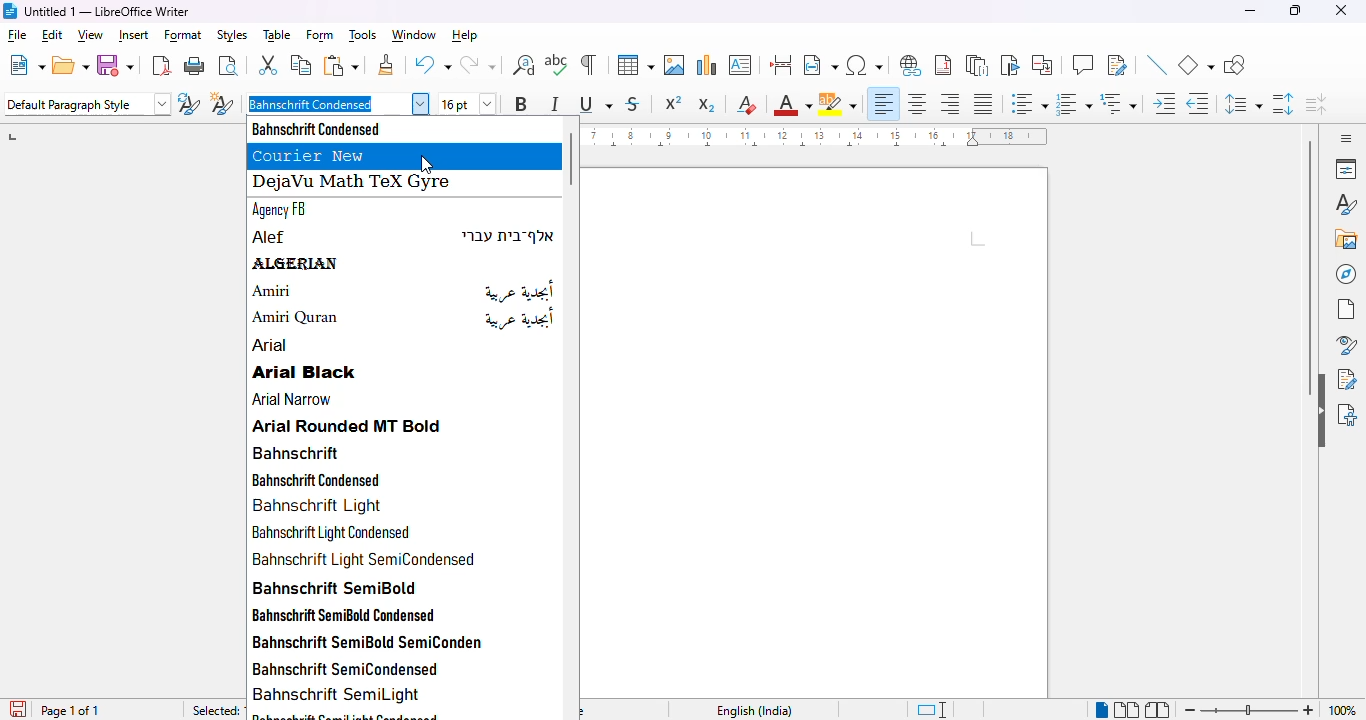  I want to click on bahnschrift semicondensed, so click(347, 669).